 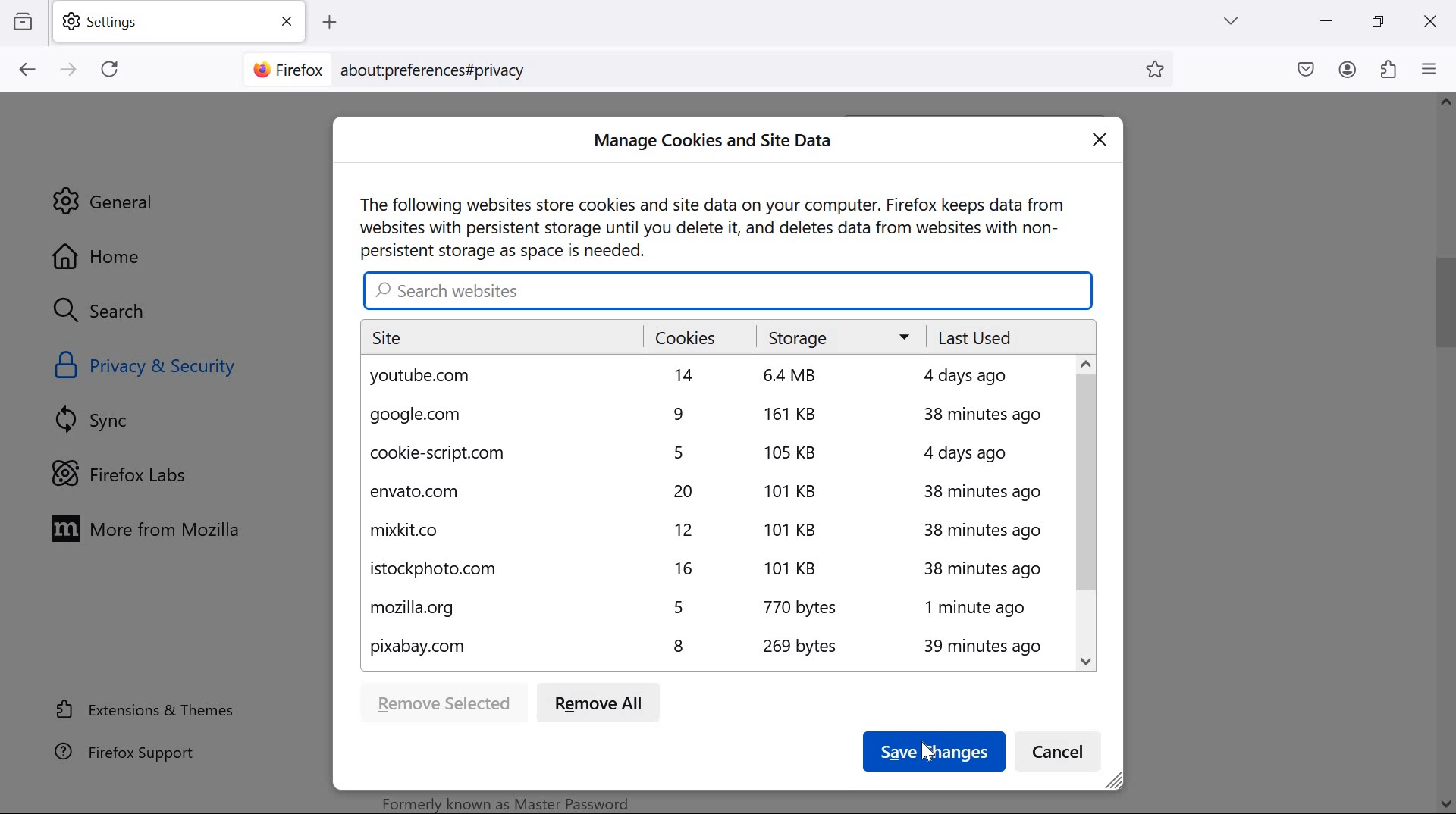 I want to click on add tab, so click(x=329, y=23).